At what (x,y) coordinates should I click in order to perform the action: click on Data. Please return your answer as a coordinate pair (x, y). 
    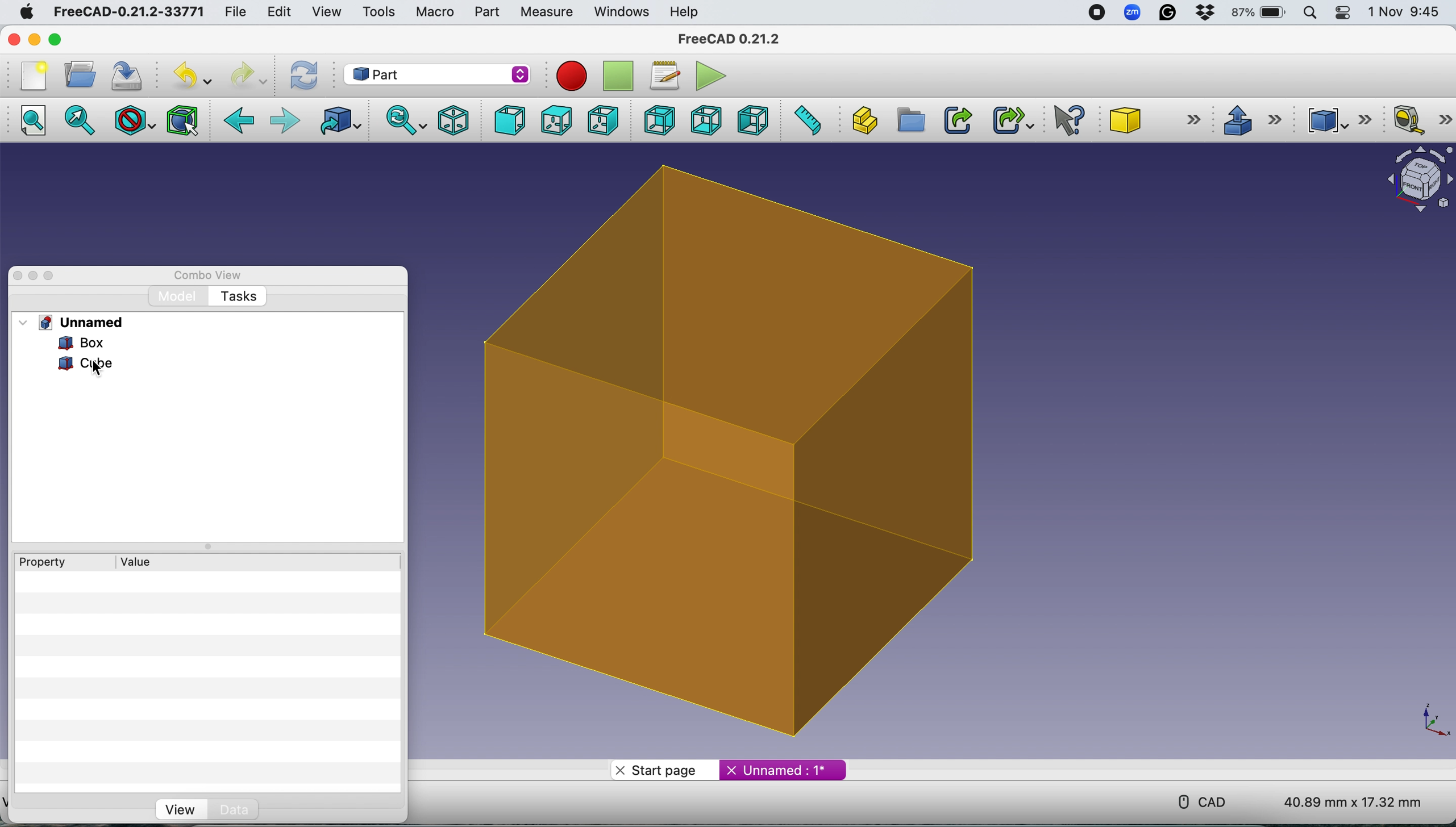
    Looking at the image, I should click on (260, 811).